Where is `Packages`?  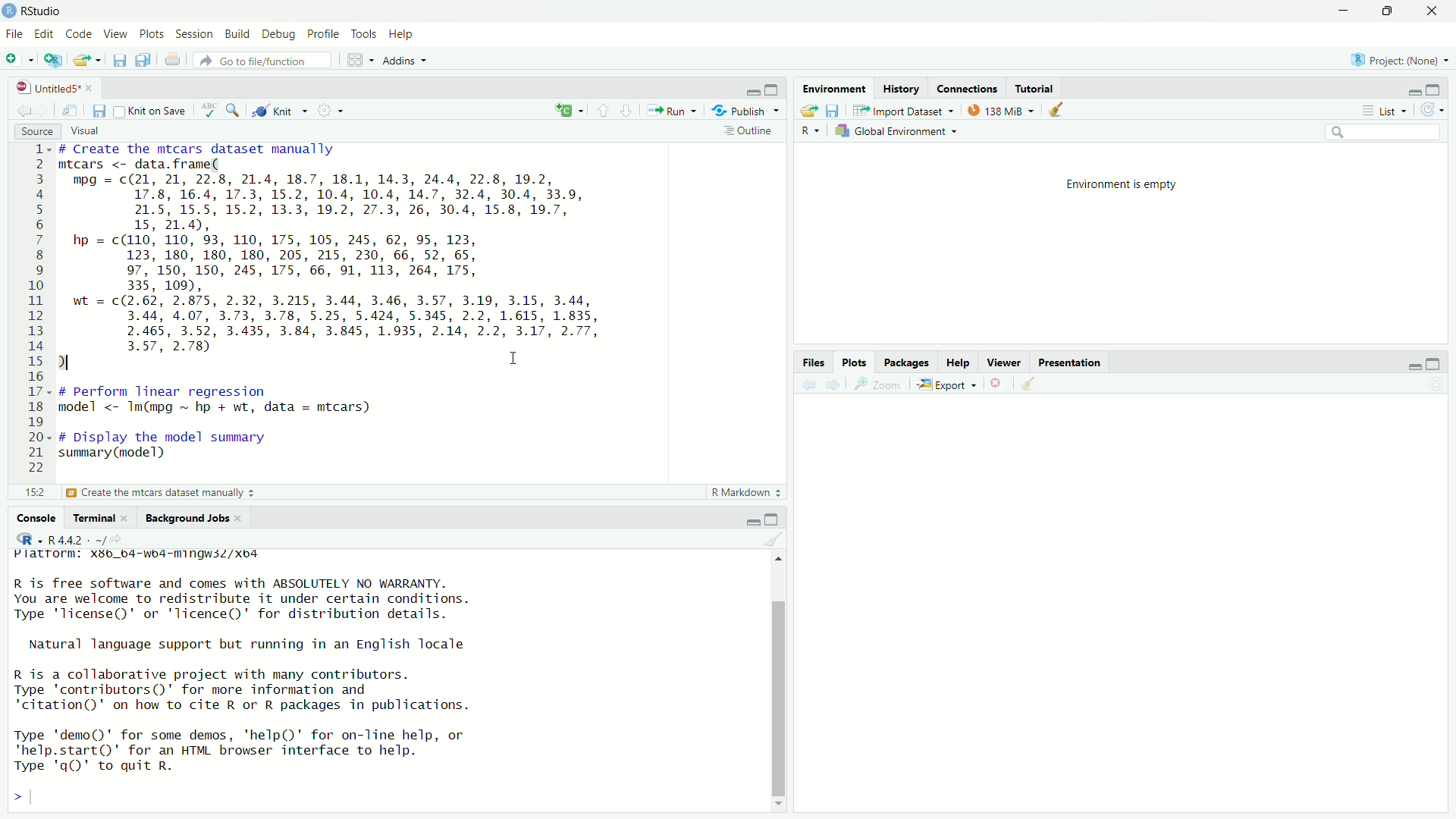
Packages is located at coordinates (907, 362).